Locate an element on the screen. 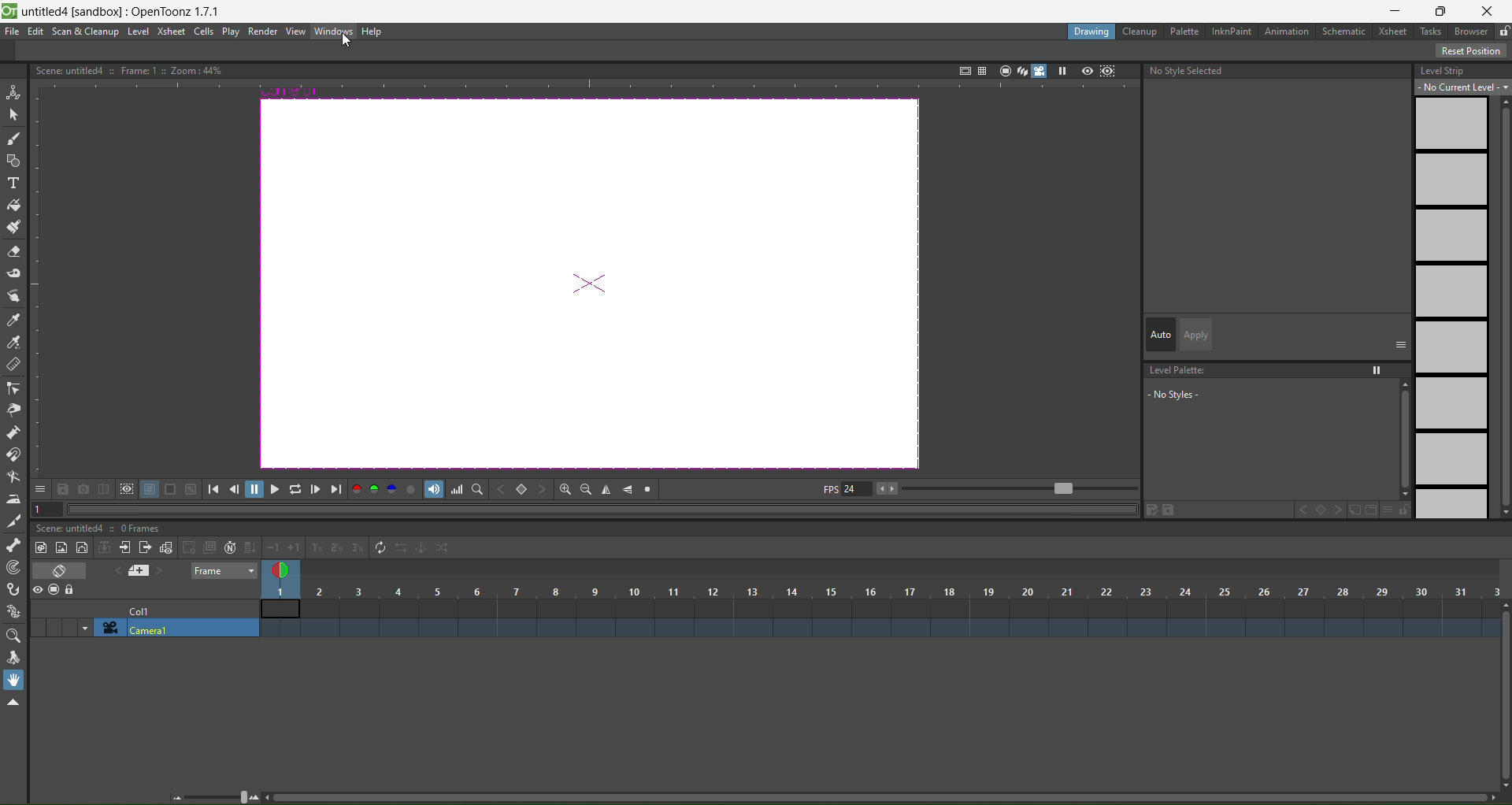 This screenshot has height=805, width=1512. render is located at coordinates (264, 32).